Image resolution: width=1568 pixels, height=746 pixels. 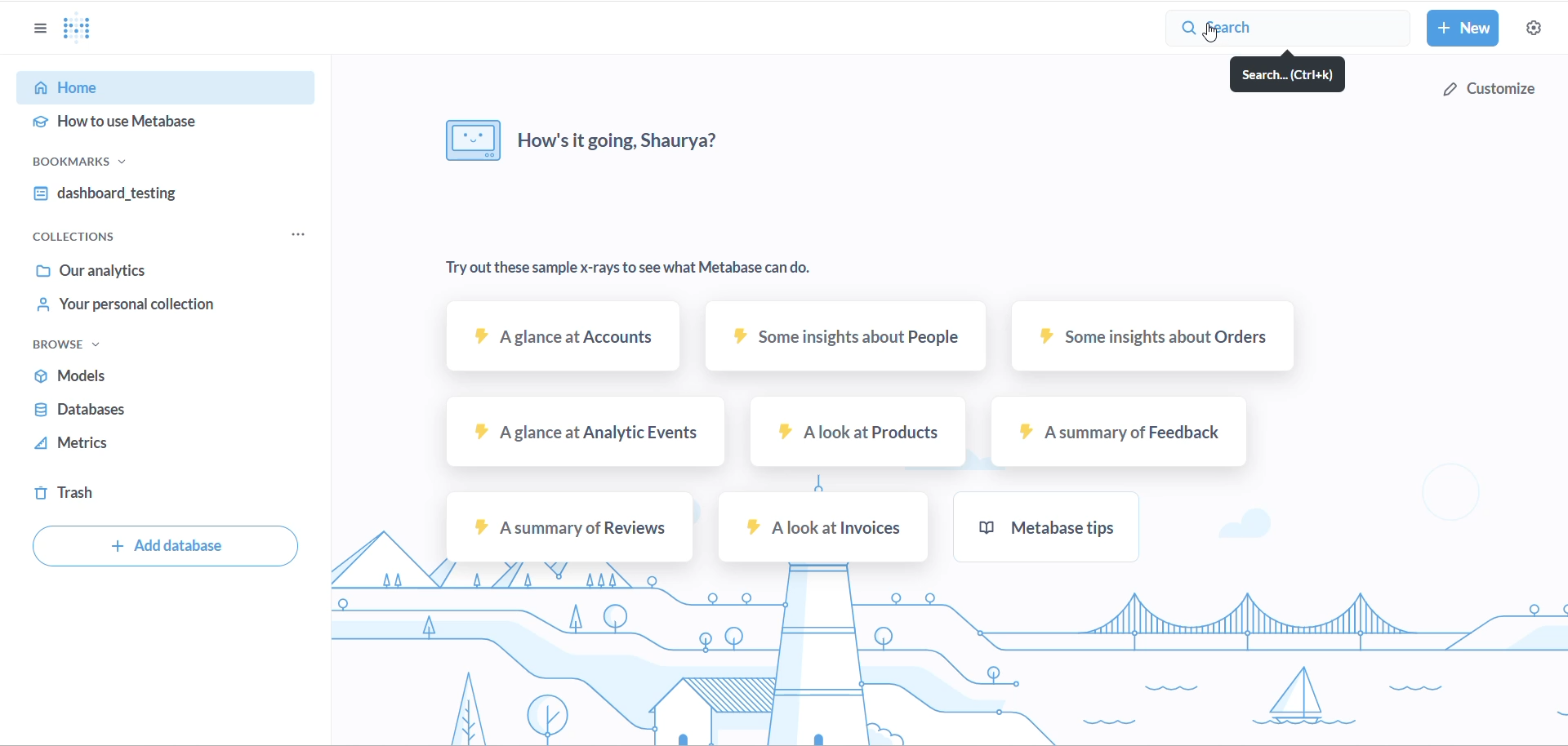 What do you see at coordinates (296, 236) in the screenshot?
I see `collection options` at bounding box center [296, 236].